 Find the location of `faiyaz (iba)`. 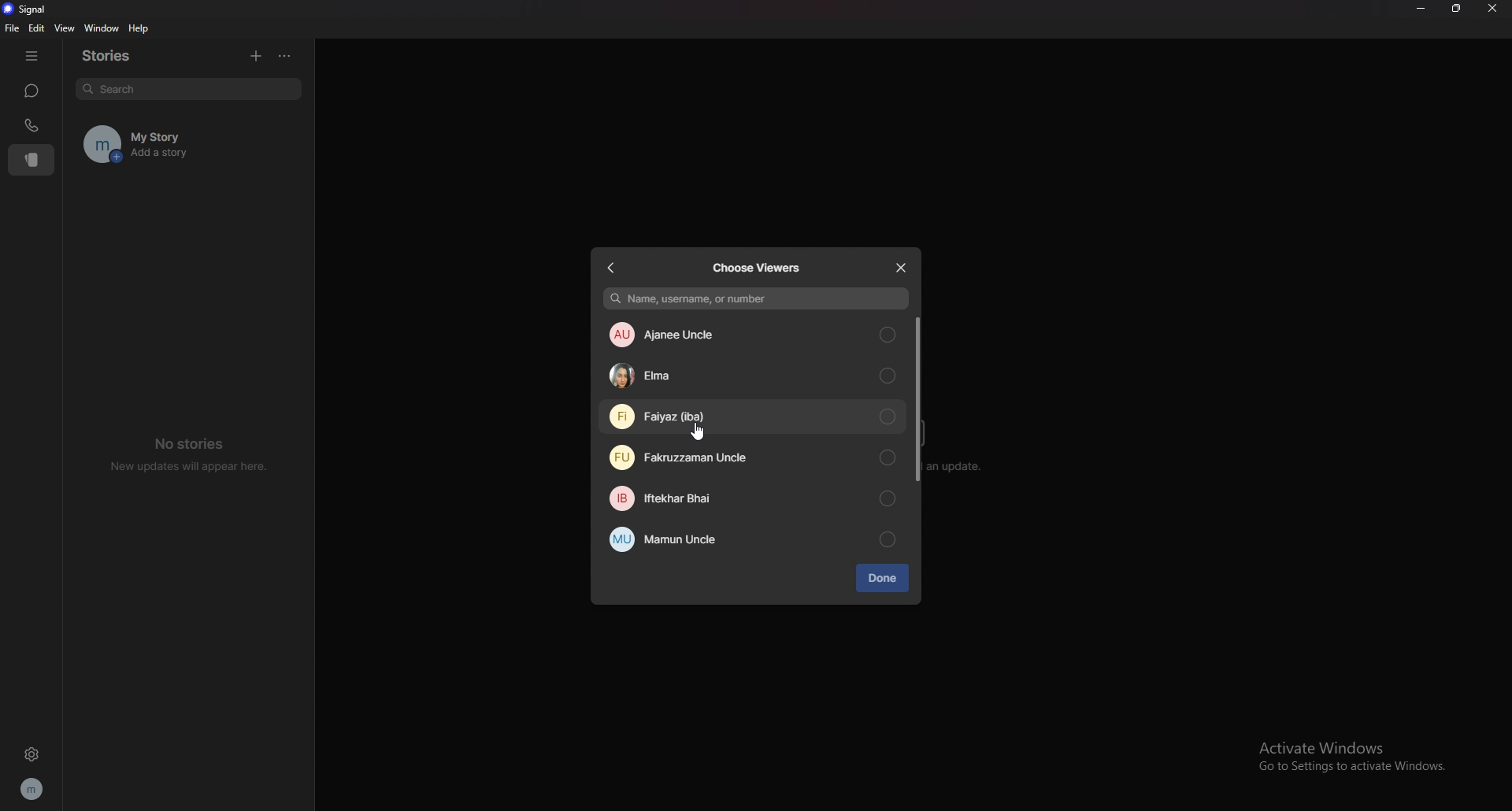

faiyaz (iba) is located at coordinates (752, 417).